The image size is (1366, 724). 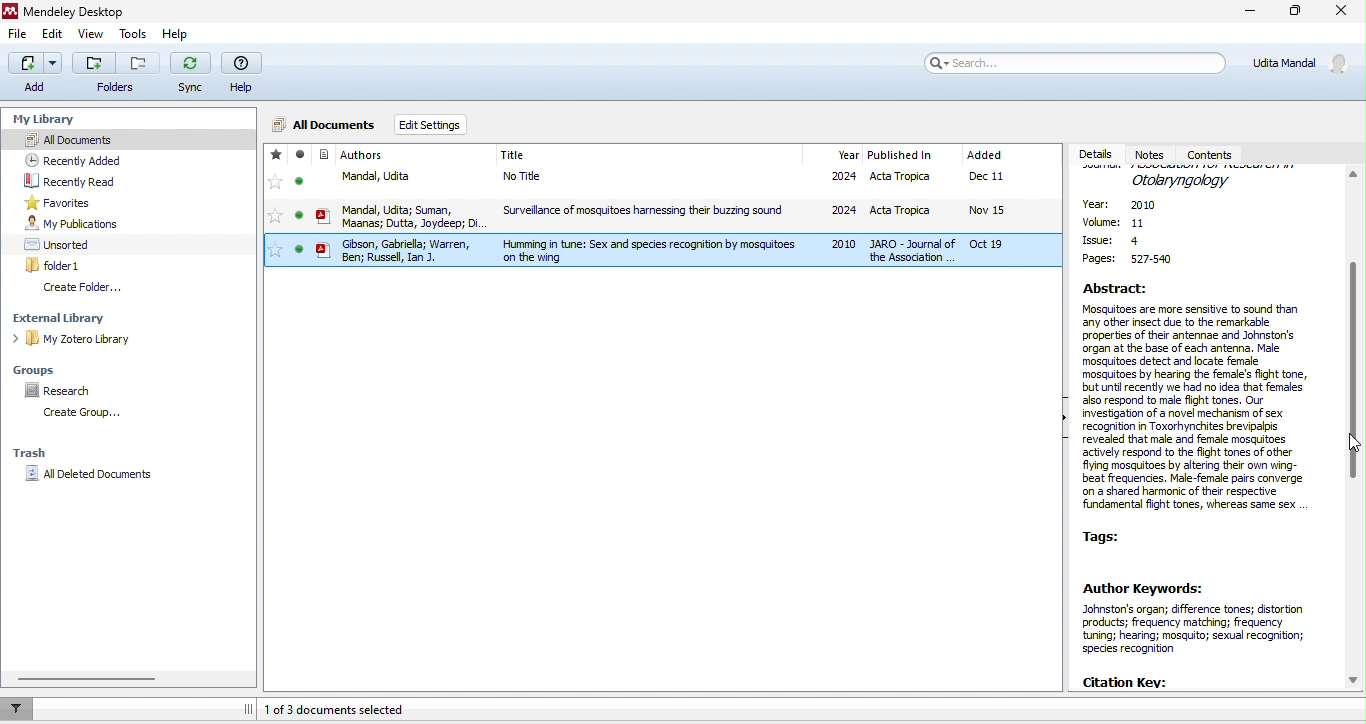 What do you see at coordinates (82, 13) in the screenshot?
I see `Mendeley Desktop` at bounding box center [82, 13].